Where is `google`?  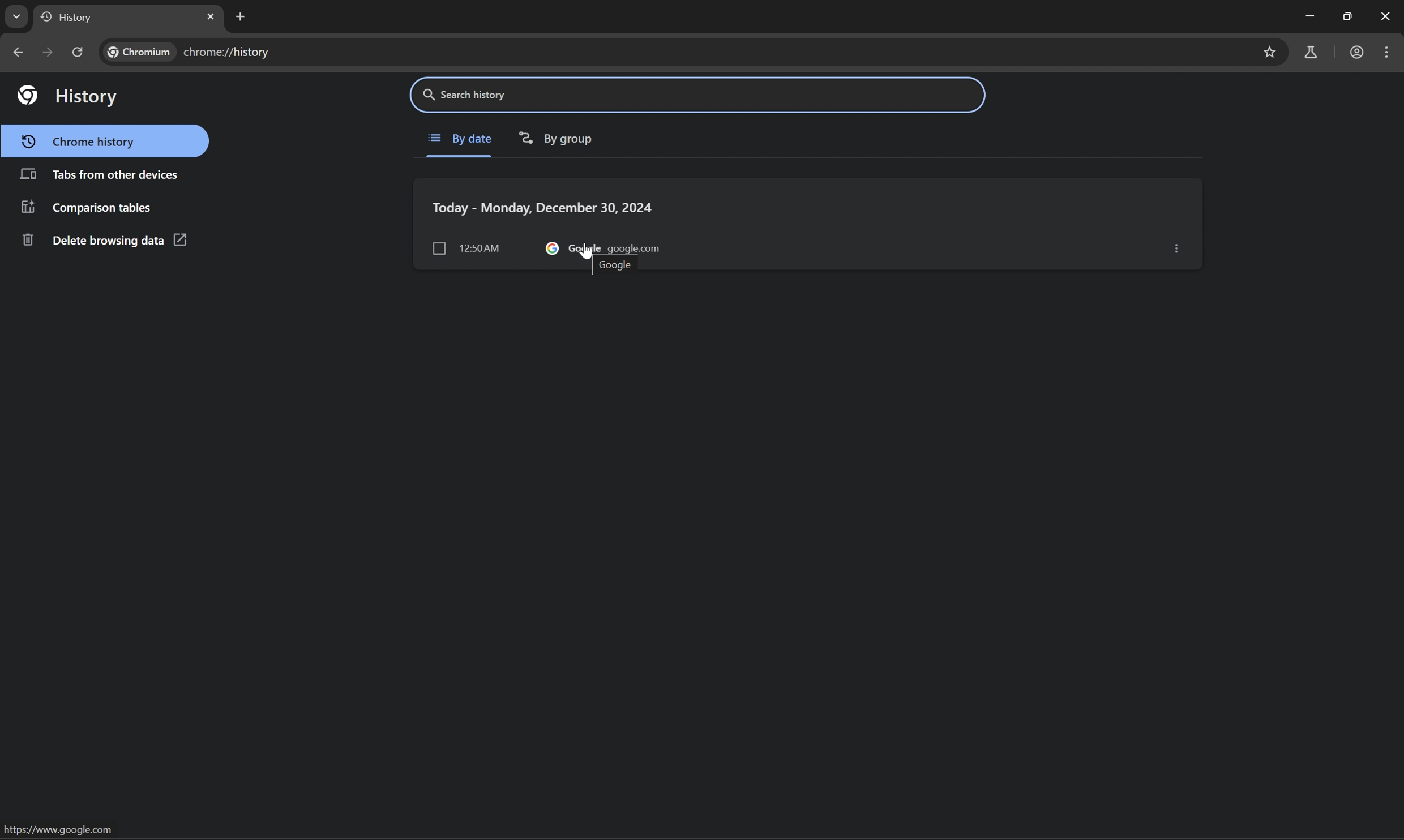 google is located at coordinates (618, 265).